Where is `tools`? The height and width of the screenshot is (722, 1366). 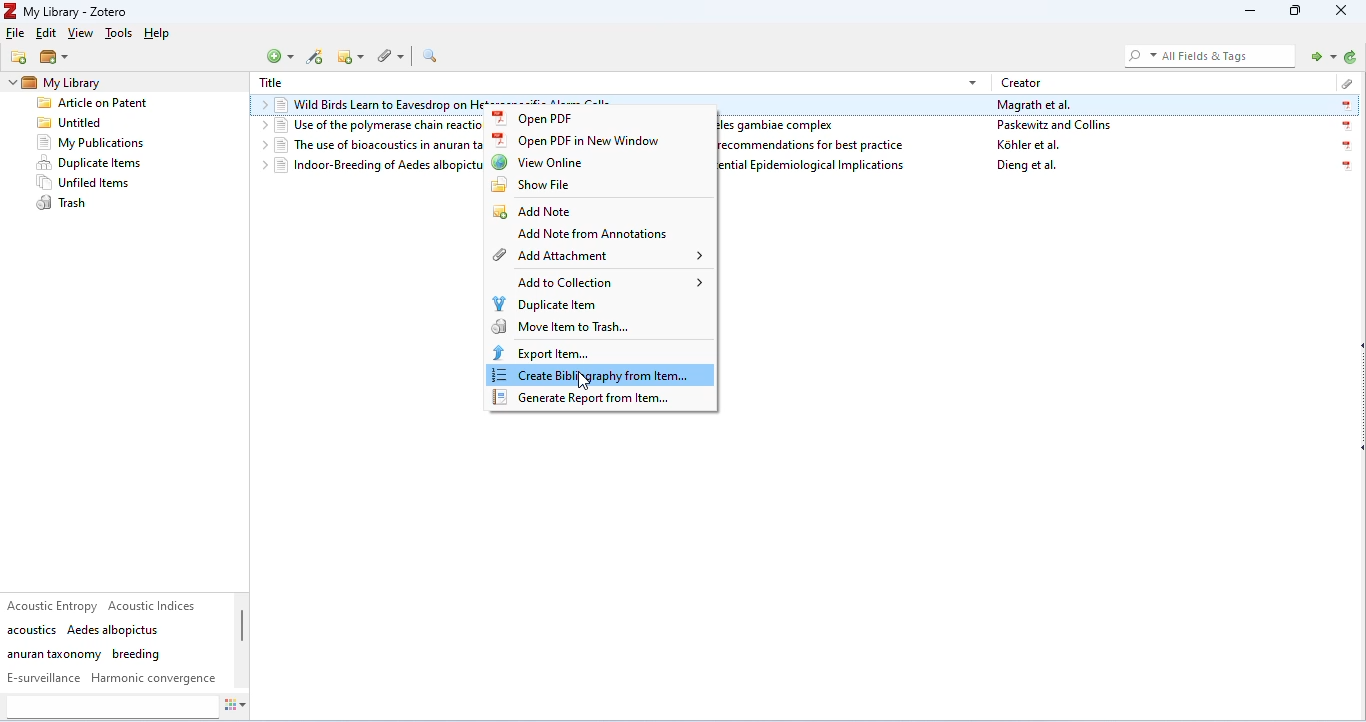 tools is located at coordinates (118, 34).